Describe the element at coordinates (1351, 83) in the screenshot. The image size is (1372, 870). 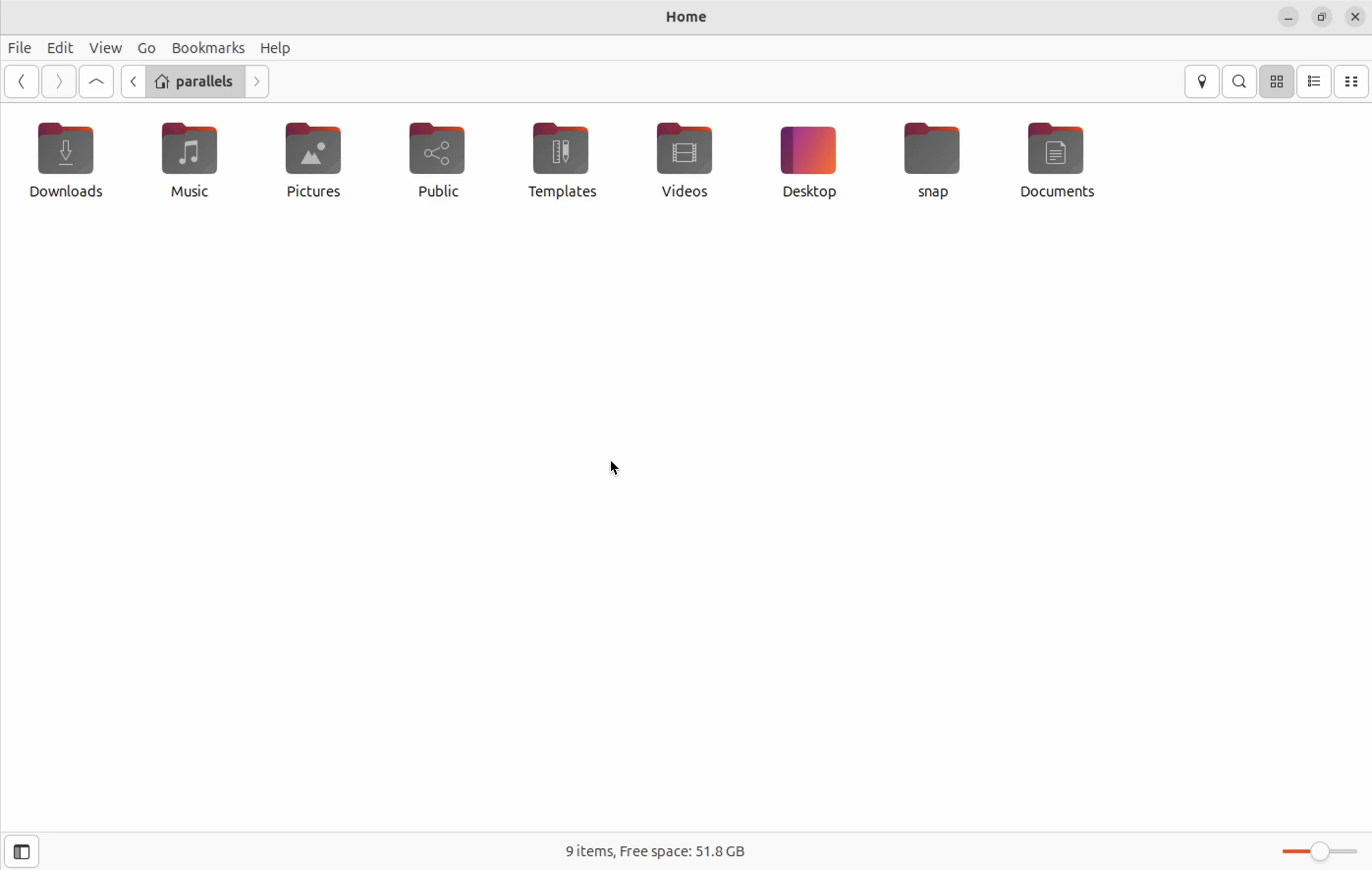
I see `compact view` at that location.